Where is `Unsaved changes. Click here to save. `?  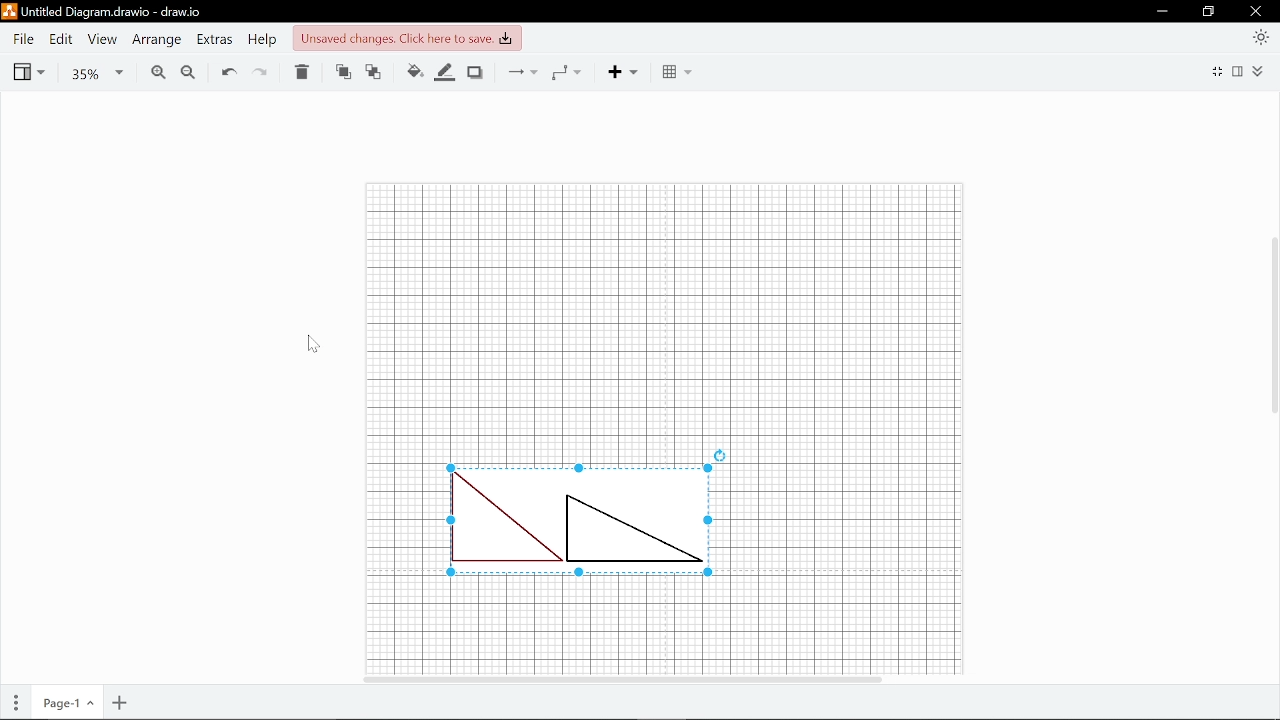 Unsaved changes. Click here to save.  is located at coordinates (407, 39).